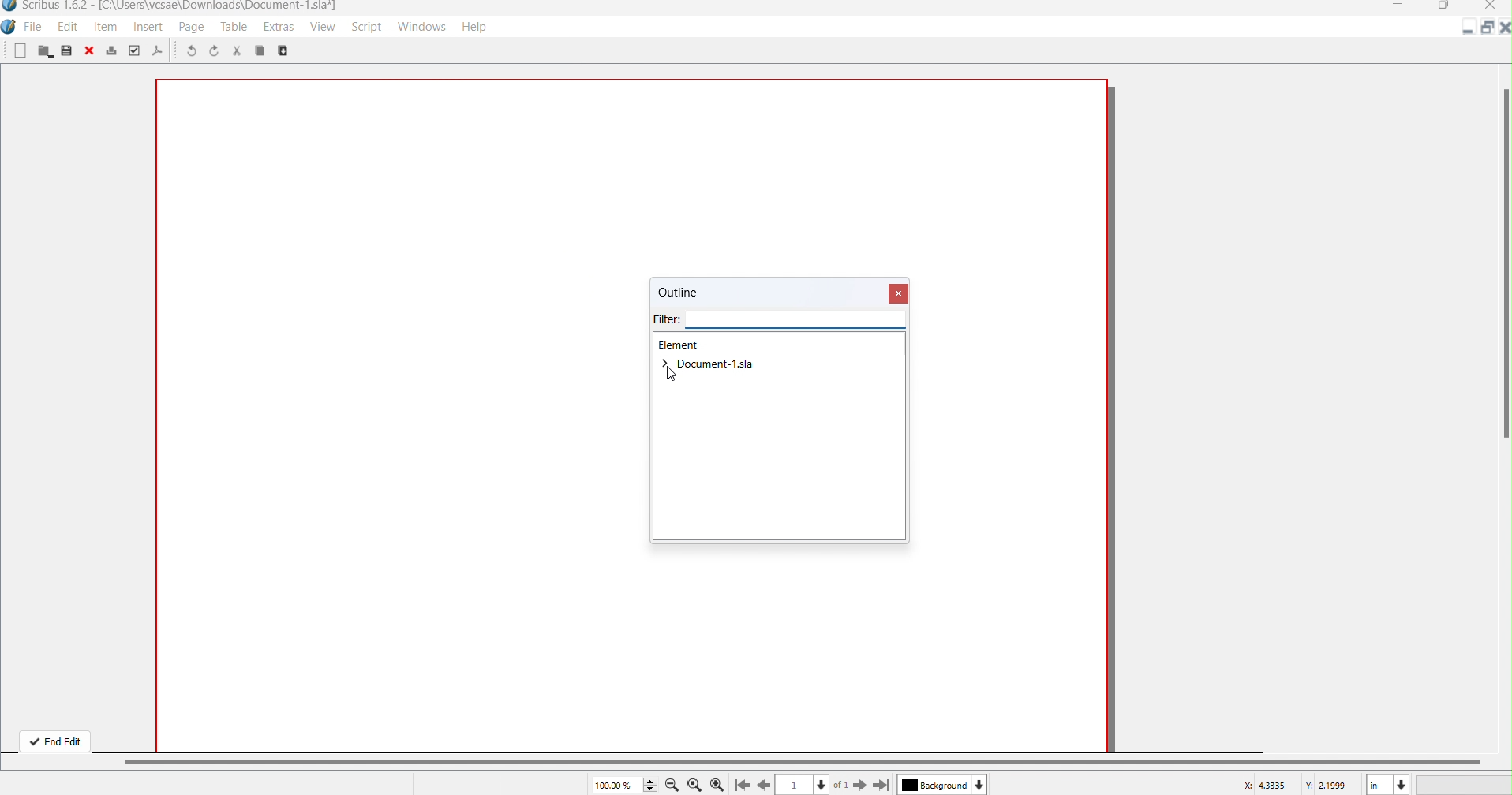 Image resolution: width=1512 pixels, height=795 pixels. Describe the element at coordinates (481, 28) in the screenshot. I see `help` at that location.